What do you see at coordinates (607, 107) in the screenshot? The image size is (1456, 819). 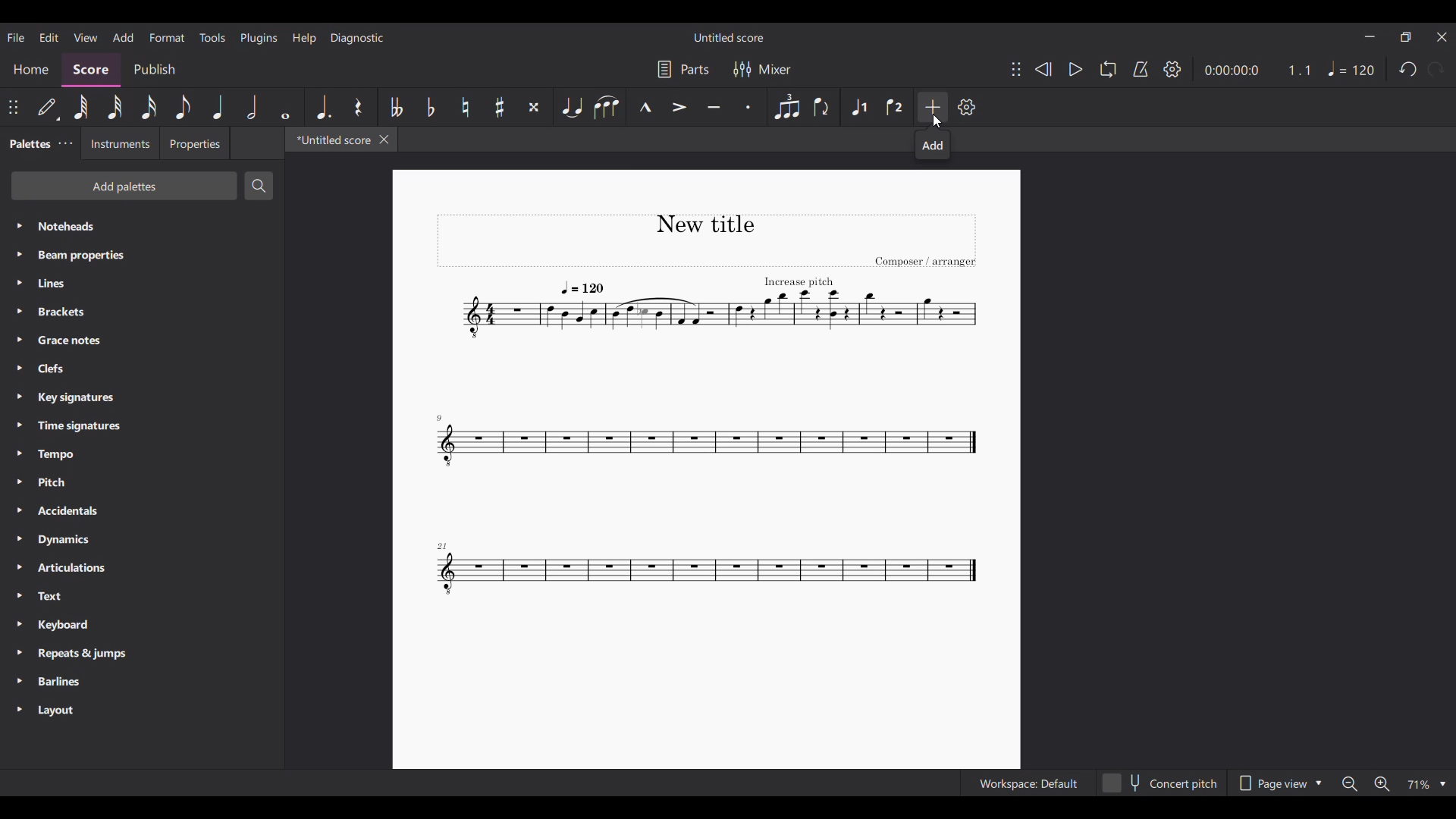 I see `Slur` at bounding box center [607, 107].